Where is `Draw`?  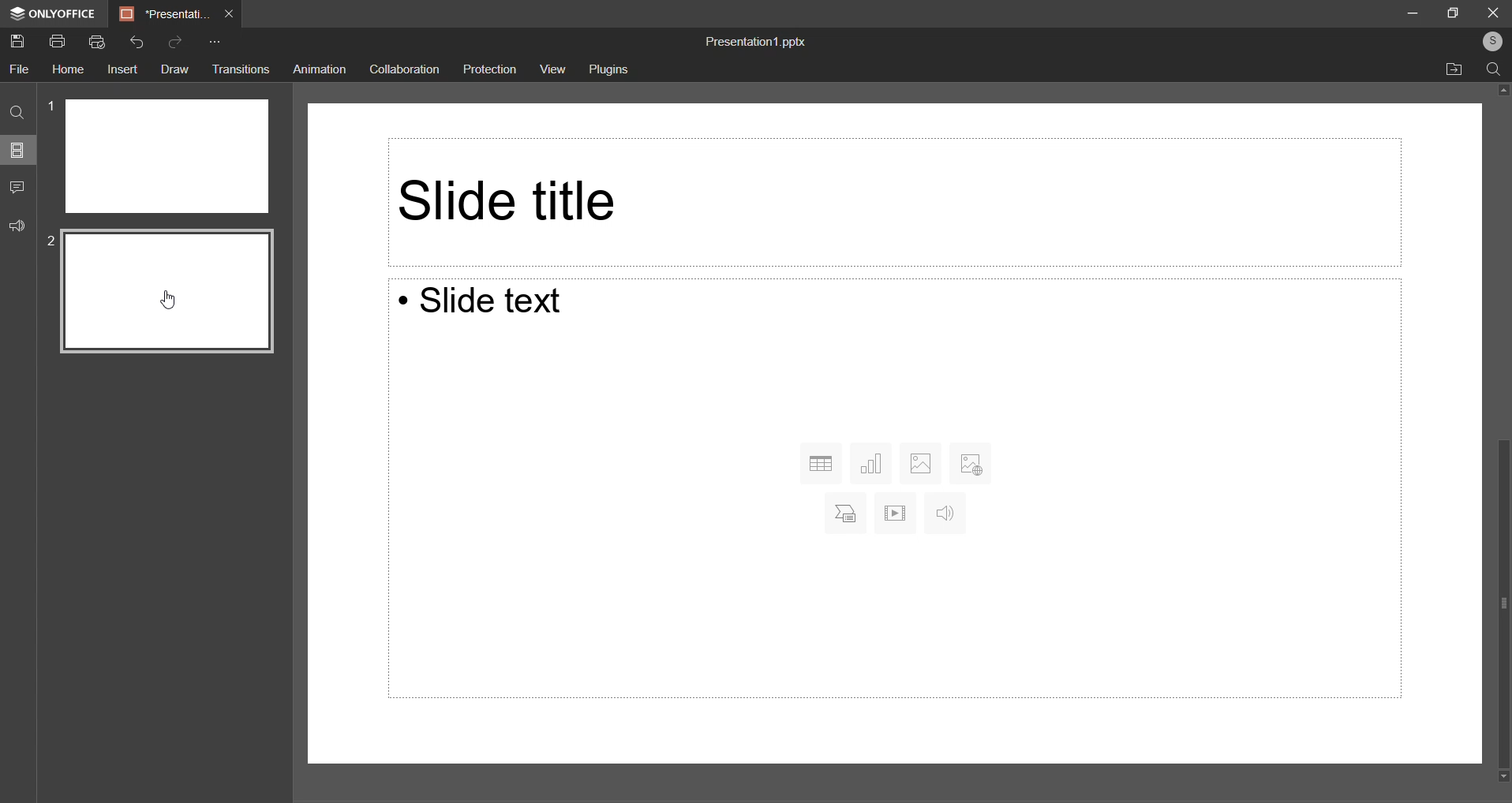 Draw is located at coordinates (173, 69).